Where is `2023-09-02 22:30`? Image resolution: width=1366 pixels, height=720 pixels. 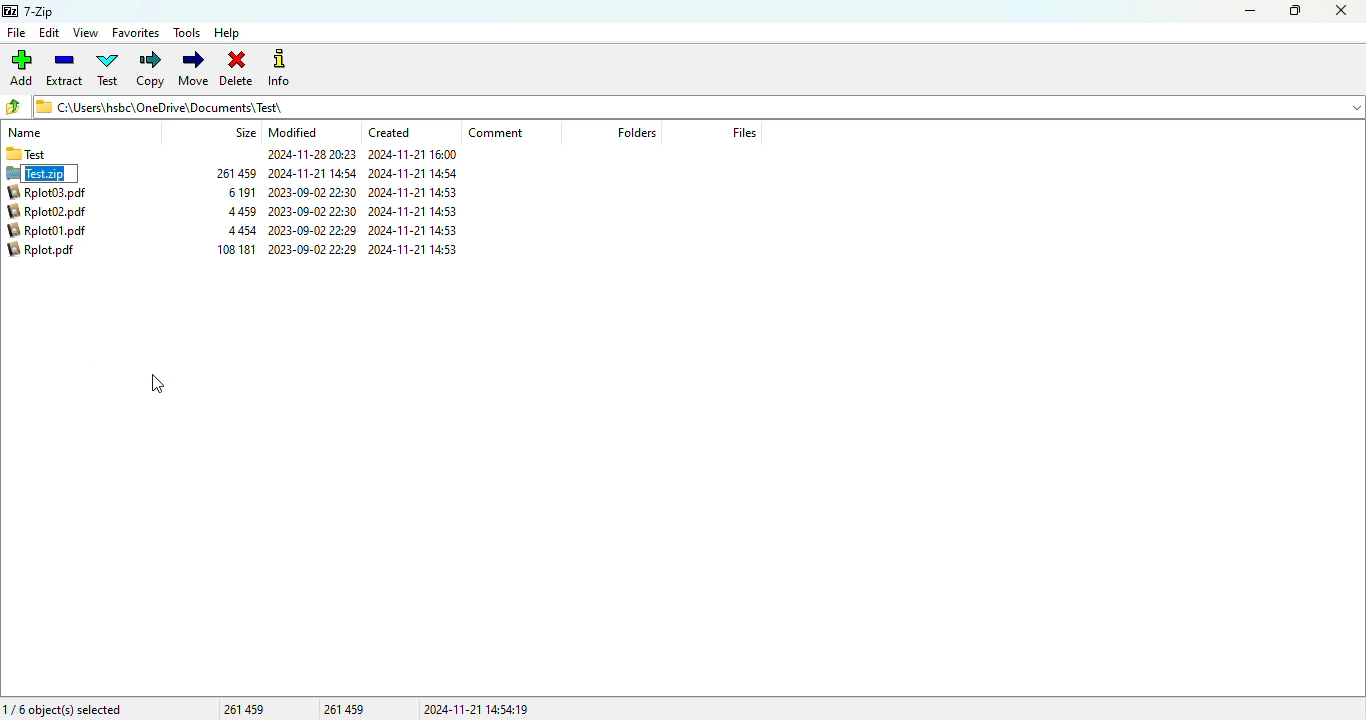
2023-09-02 22:30 is located at coordinates (313, 193).